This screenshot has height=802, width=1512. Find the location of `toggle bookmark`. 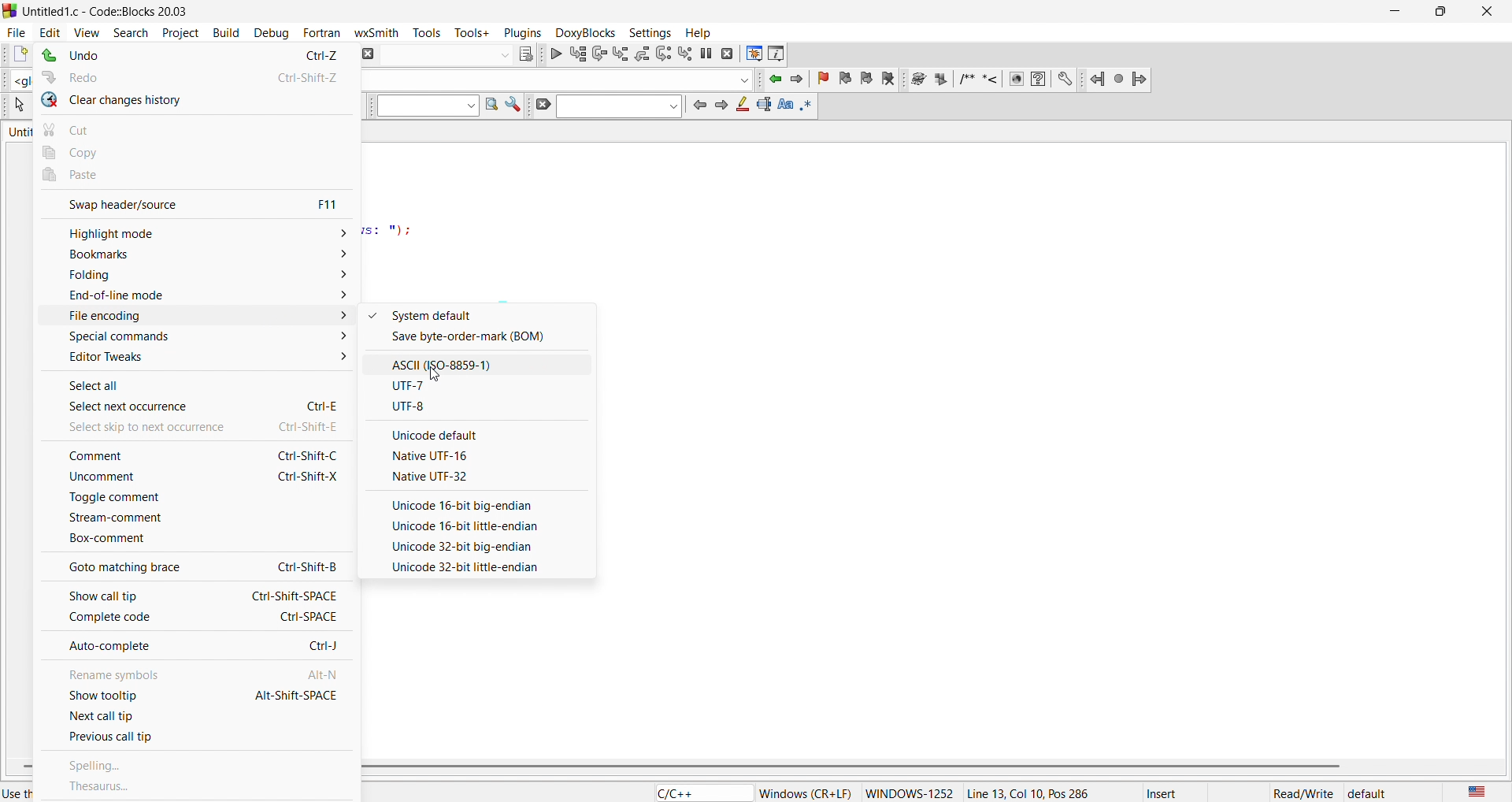

toggle bookmark is located at coordinates (824, 79).